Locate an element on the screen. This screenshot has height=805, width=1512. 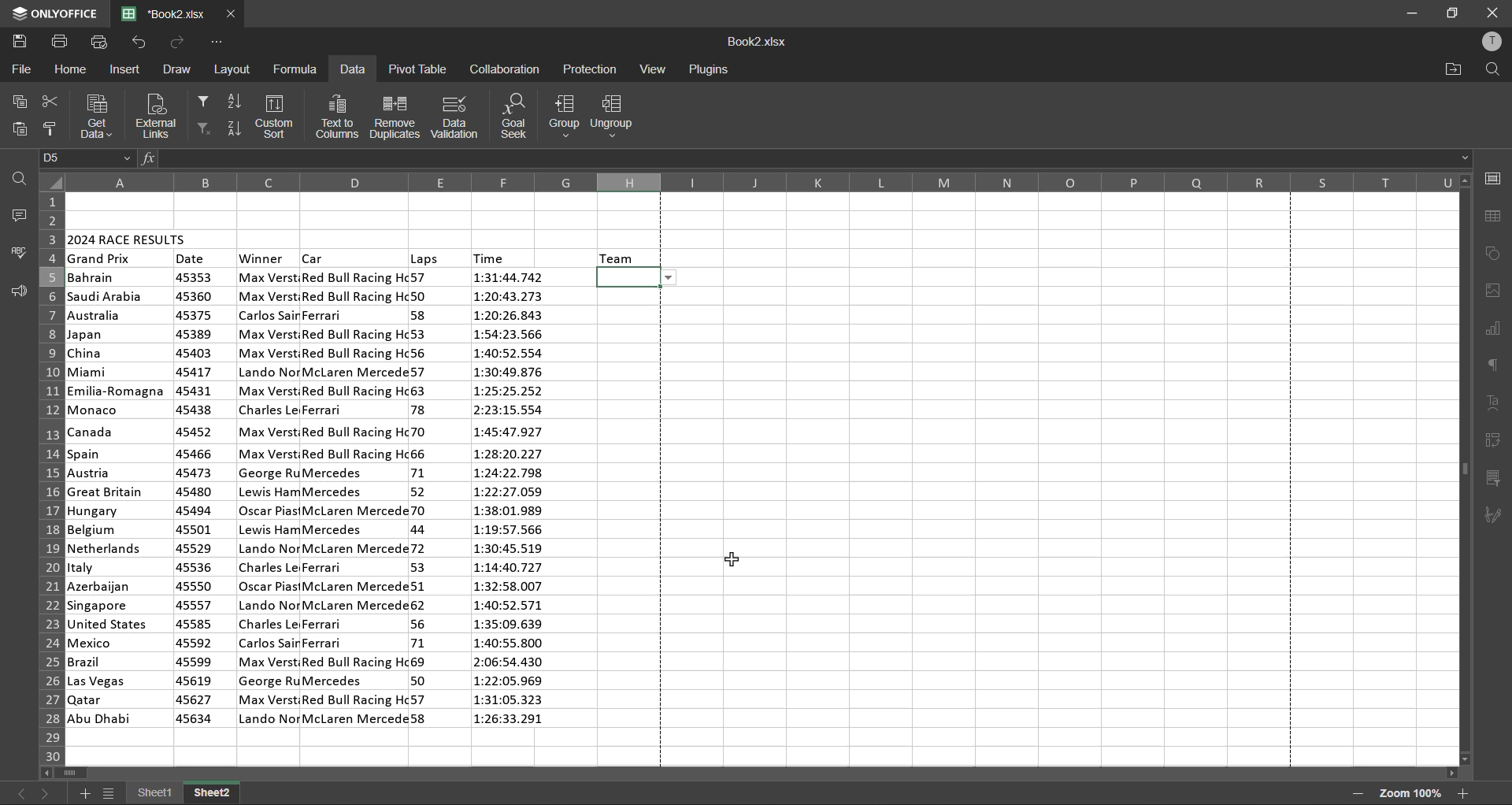
paste is located at coordinates (17, 131).